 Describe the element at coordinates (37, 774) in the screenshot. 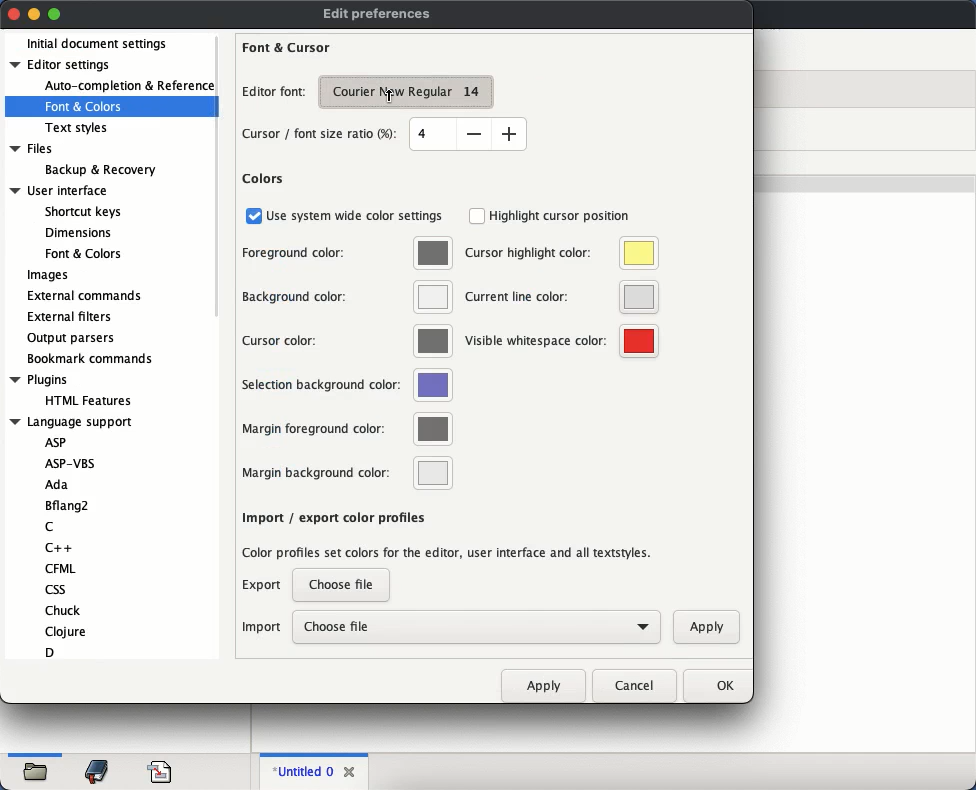

I see `open` at that location.